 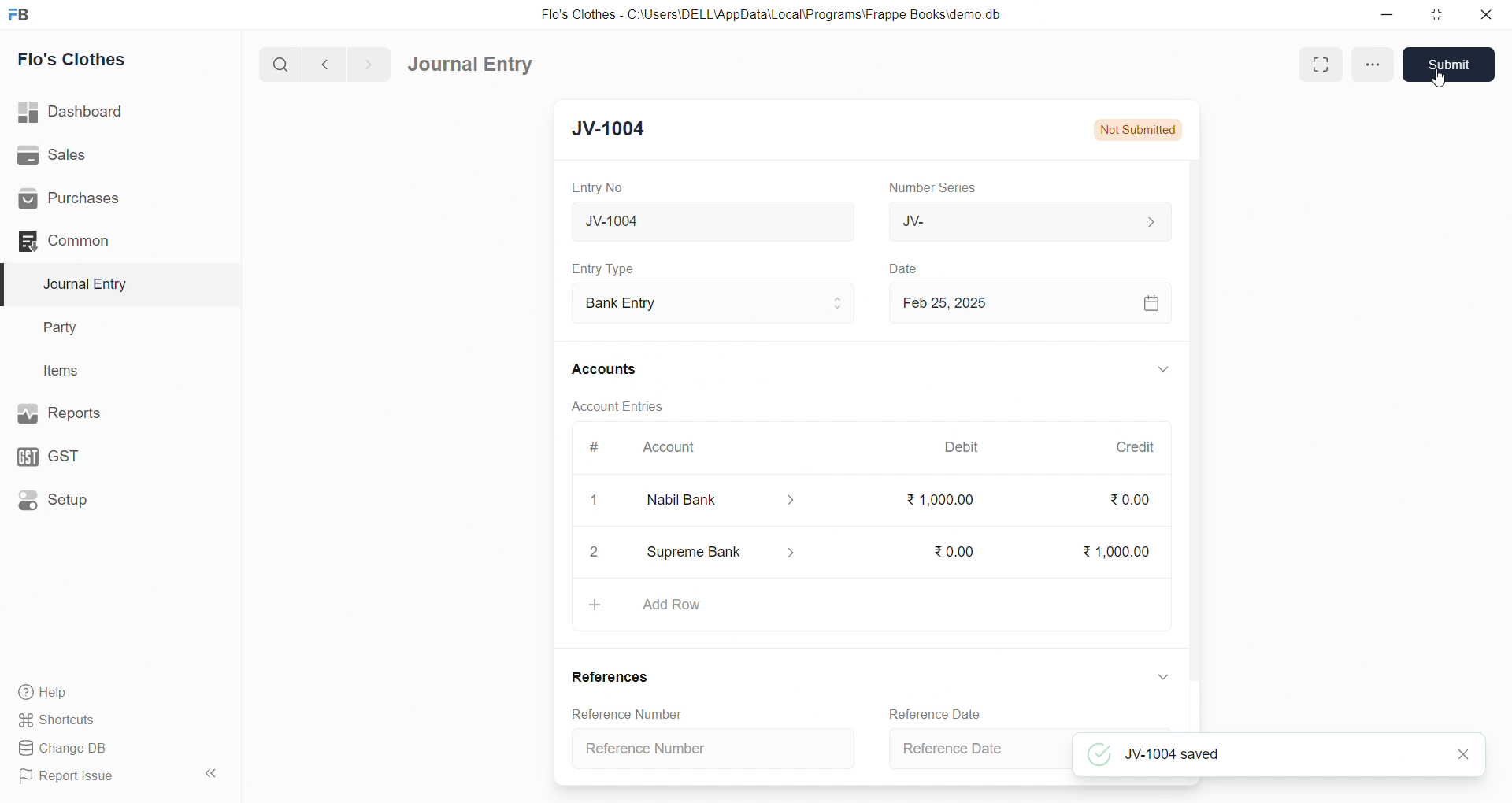 I want to click on navigate backward, so click(x=332, y=62).